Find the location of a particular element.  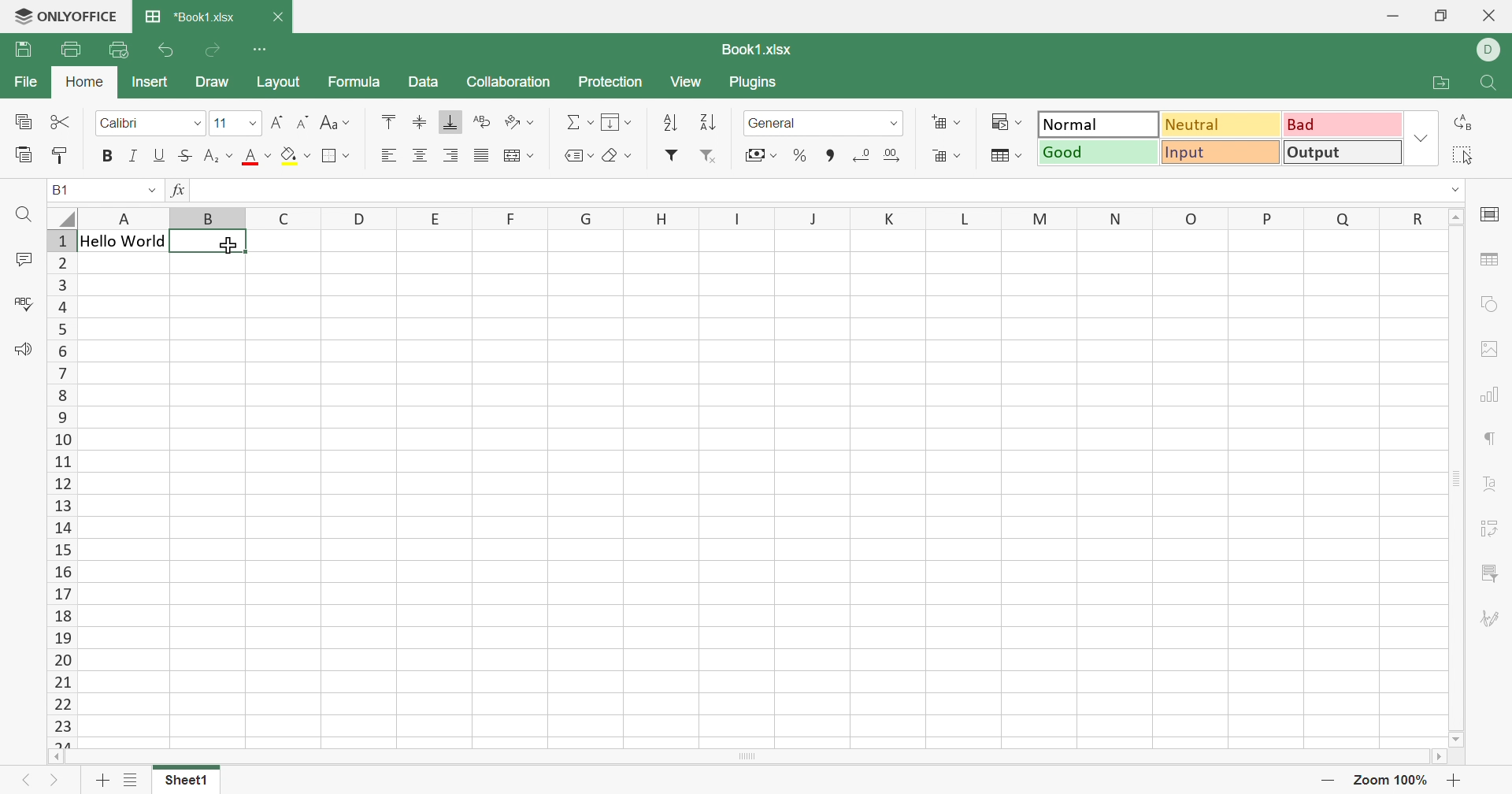

Scroll Bar is located at coordinates (1455, 479).